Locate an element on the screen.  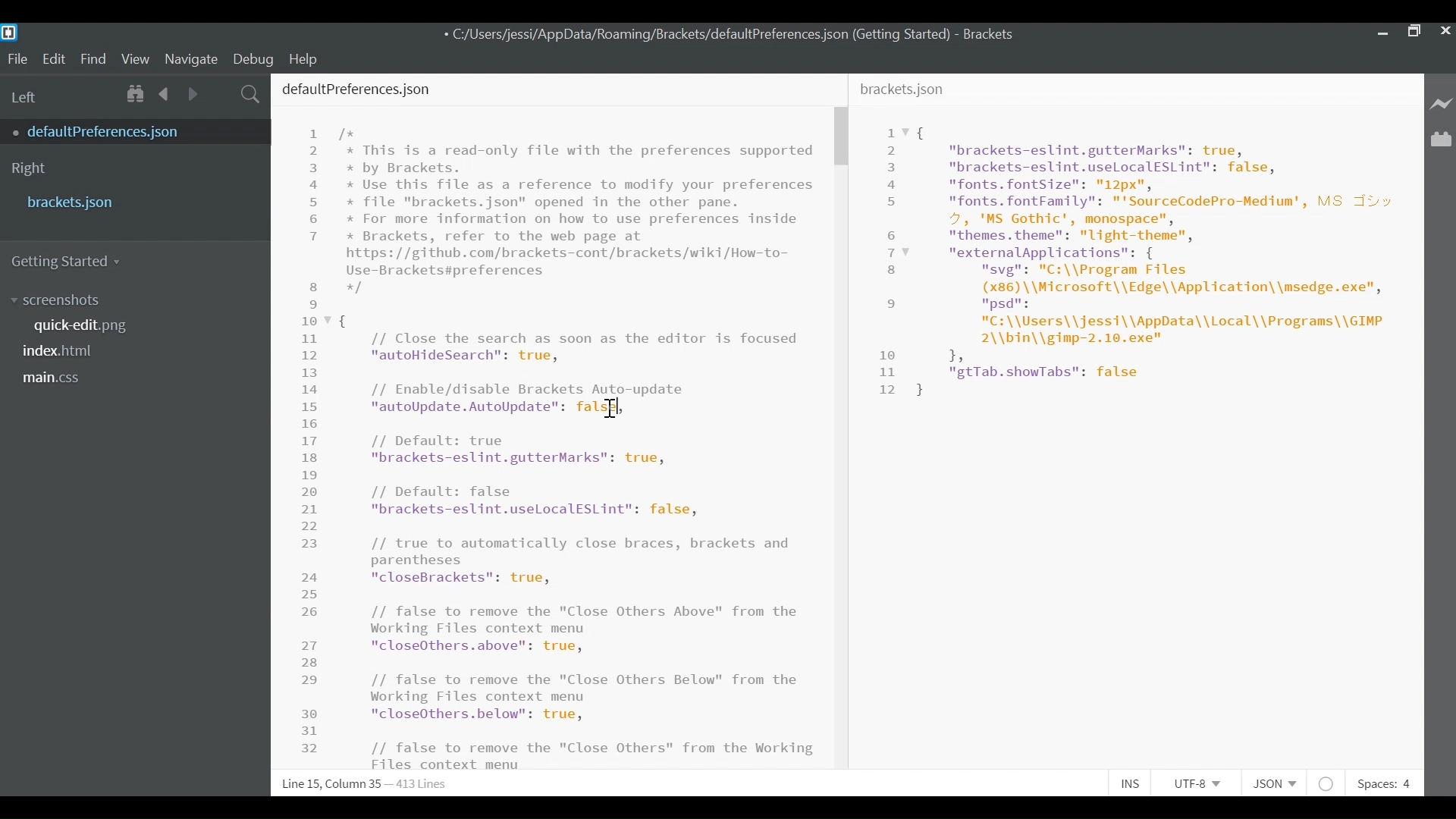
Select File Type is located at coordinates (1272, 783).